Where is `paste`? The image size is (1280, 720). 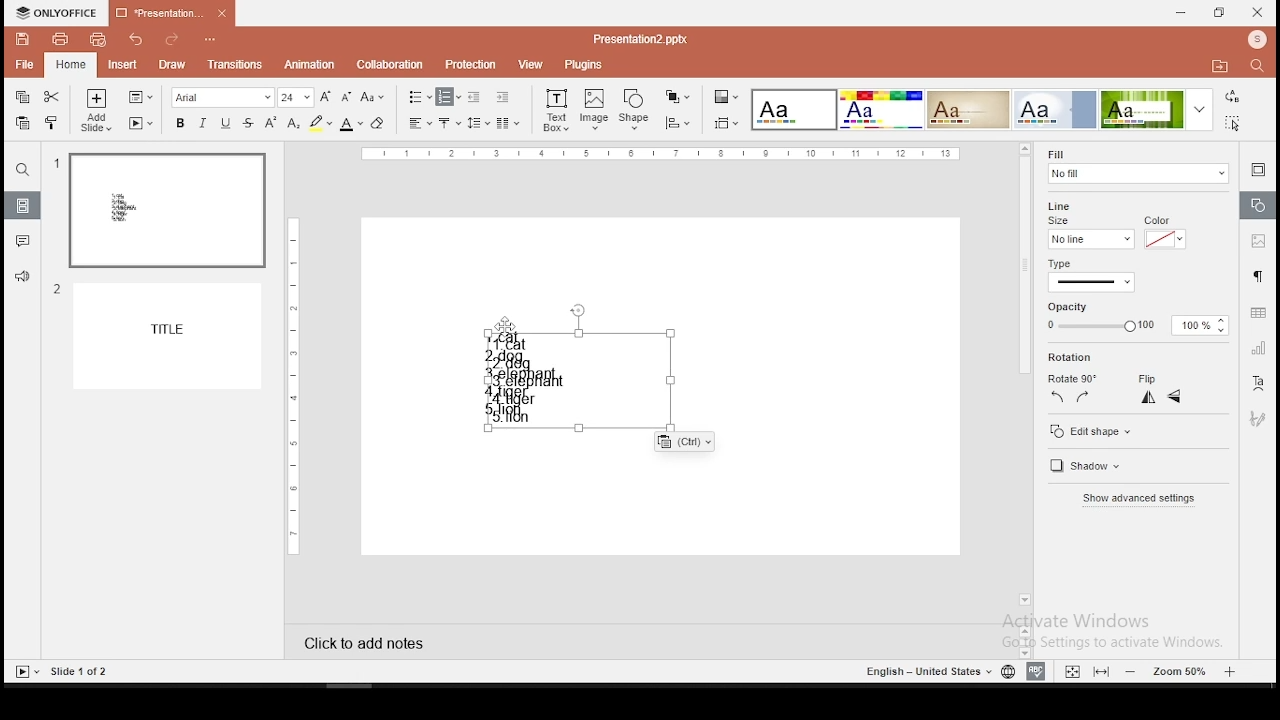 paste is located at coordinates (24, 124).